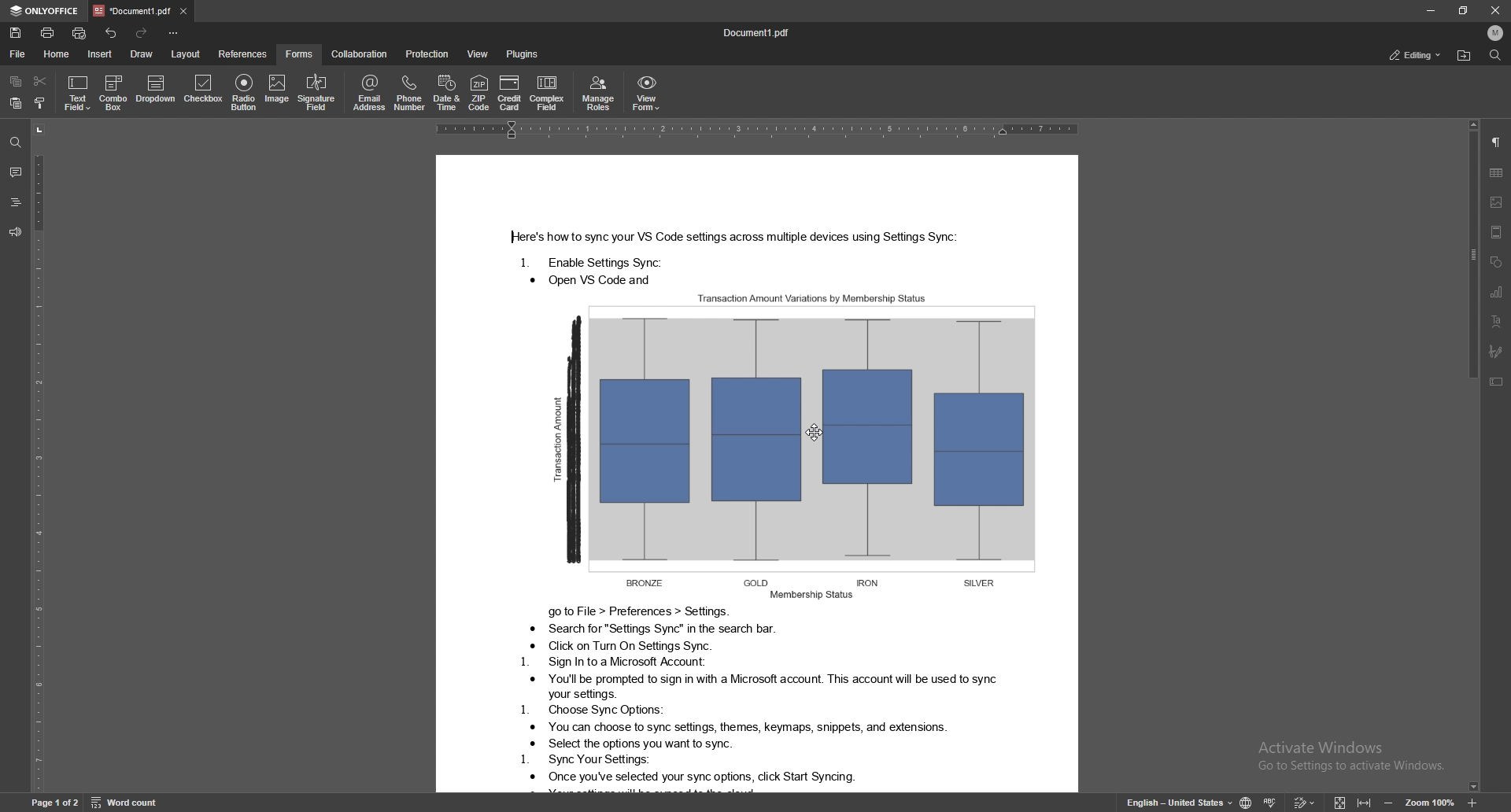 This screenshot has width=1511, height=812. I want to click on table, so click(1496, 172).